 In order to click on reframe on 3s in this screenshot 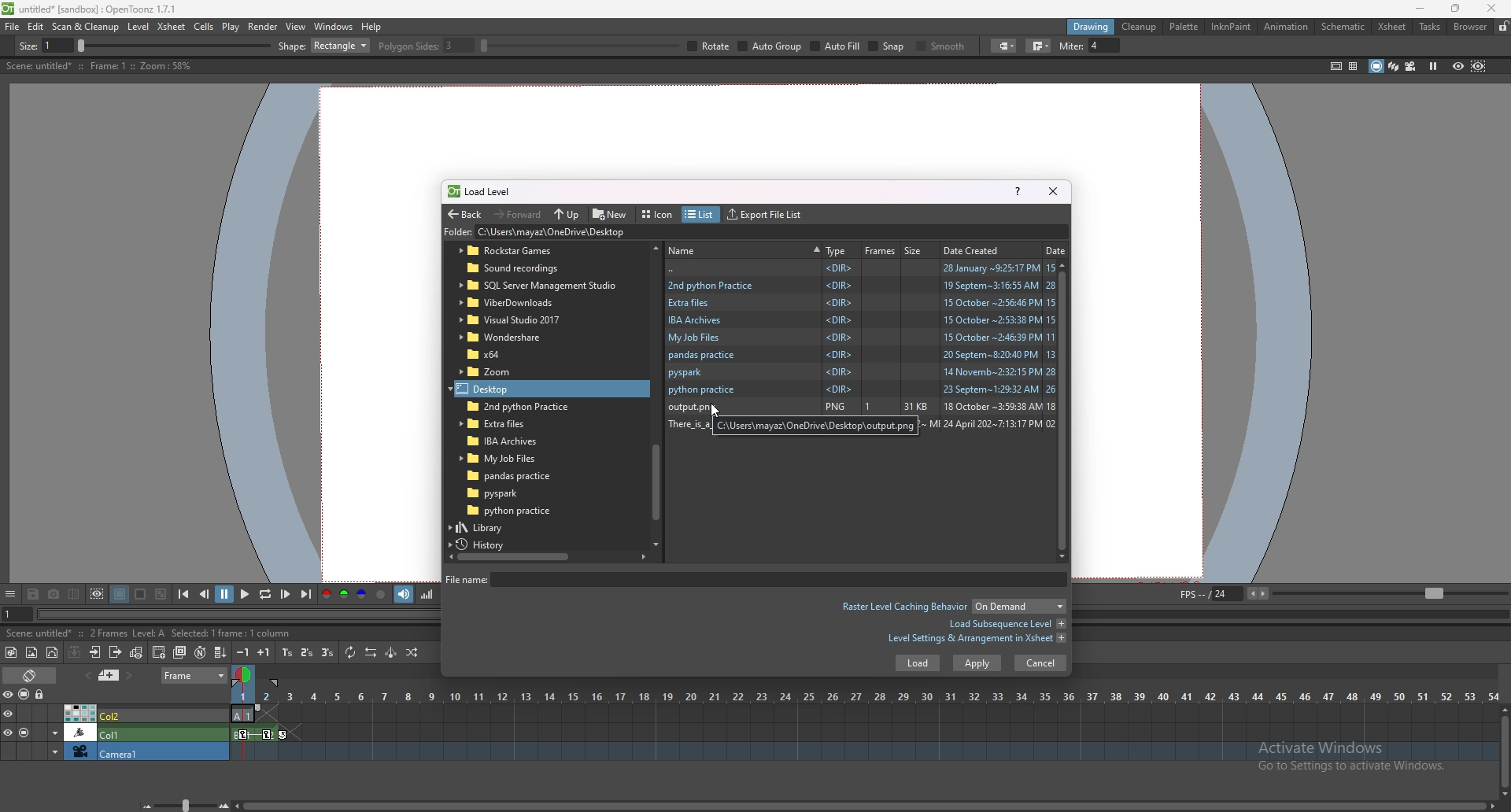, I will do `click(327, 652)`.